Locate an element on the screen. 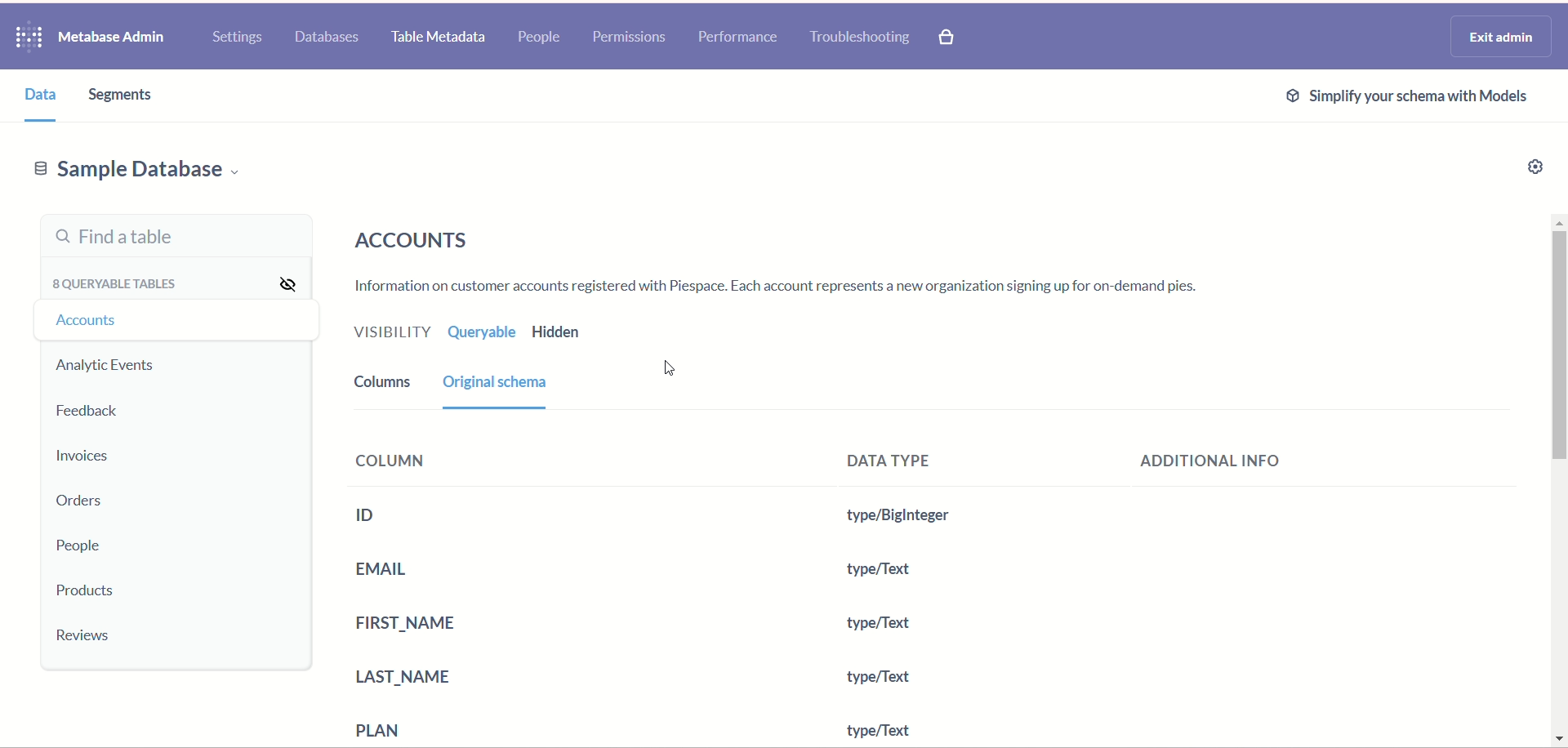 The image size is (1568, 748). type/Text is located at coordinates (880, 625).